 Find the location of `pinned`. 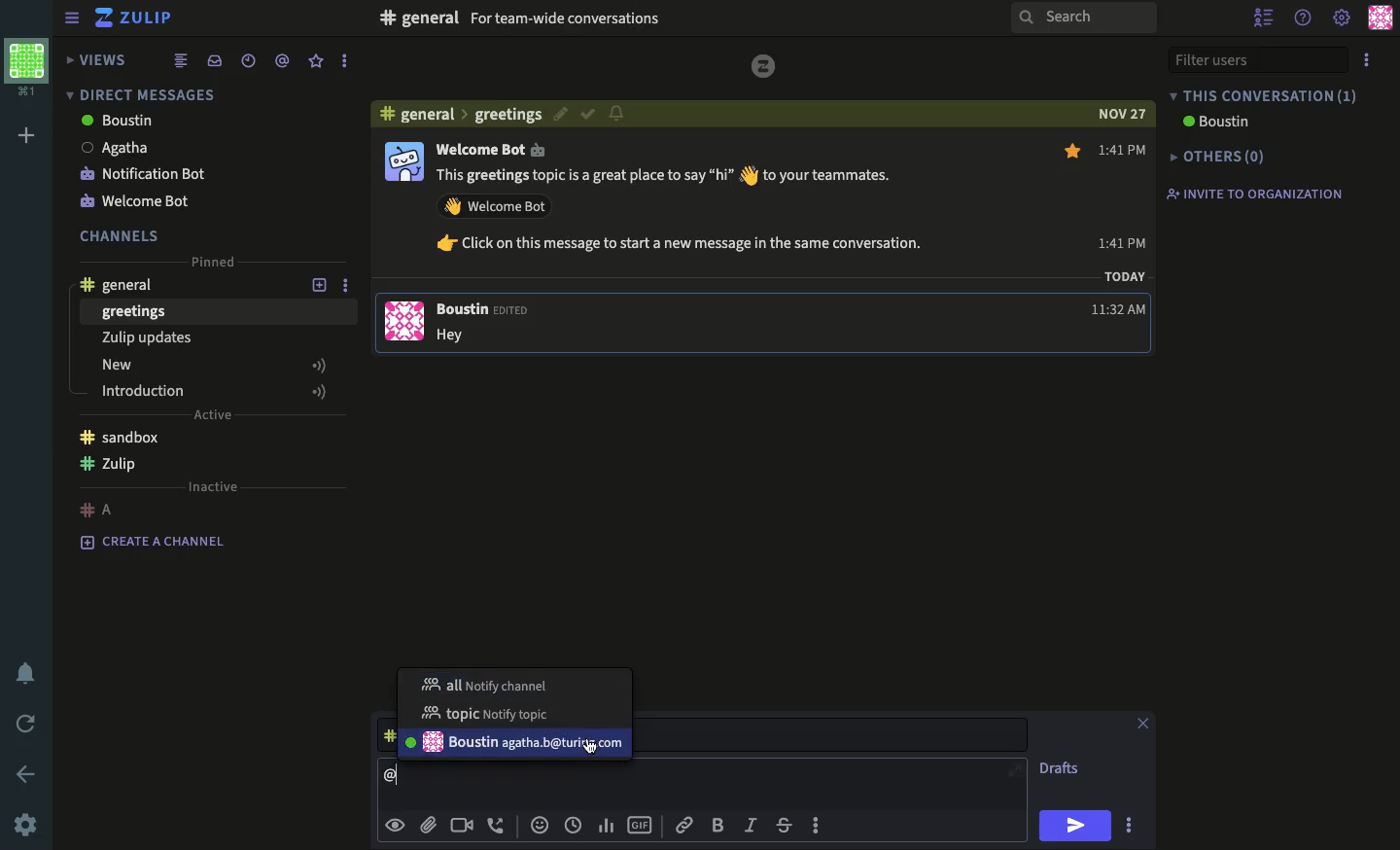

pinned is located at coordinates (209, 261).